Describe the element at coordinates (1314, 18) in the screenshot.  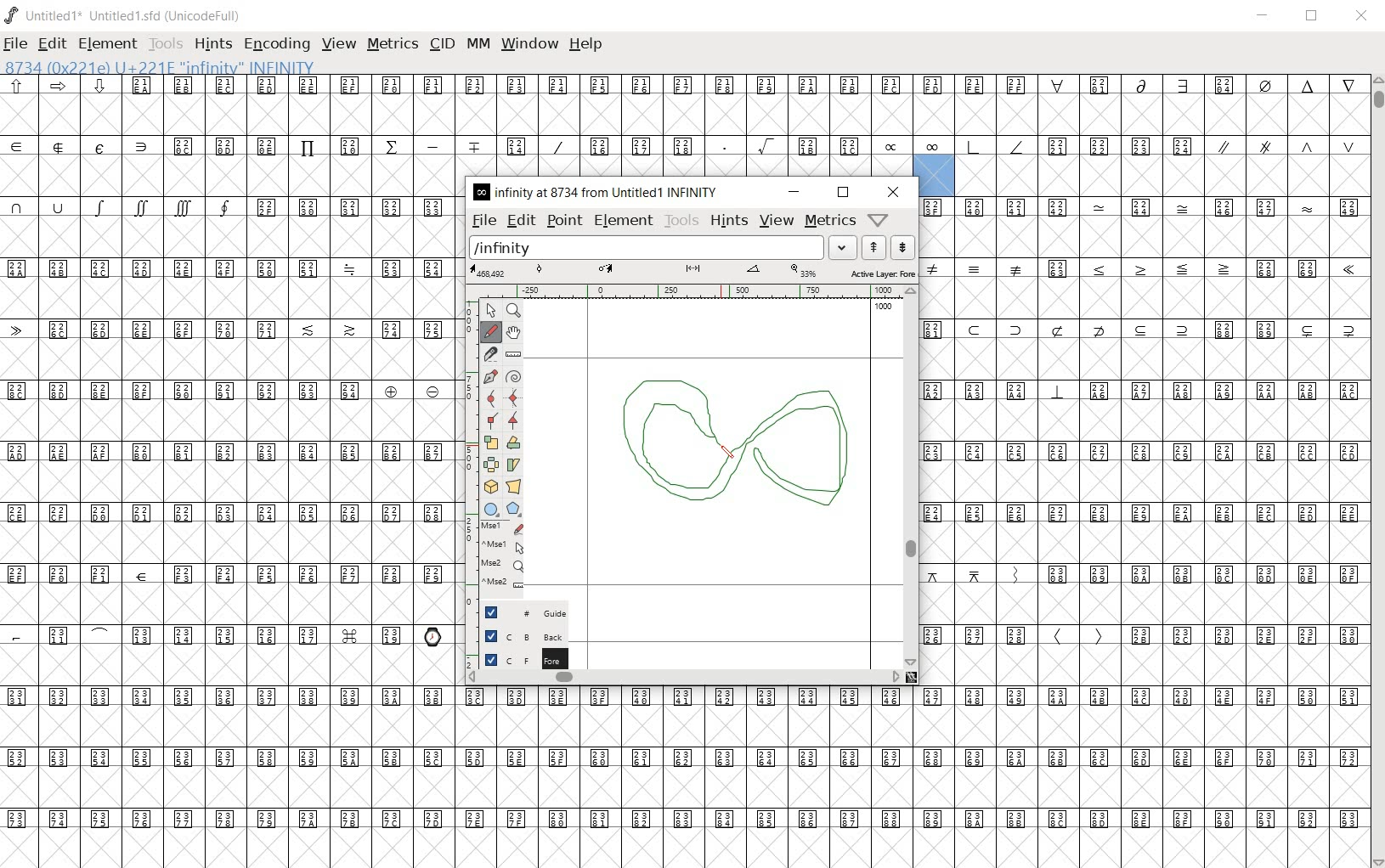
I see `restore down` at that location.